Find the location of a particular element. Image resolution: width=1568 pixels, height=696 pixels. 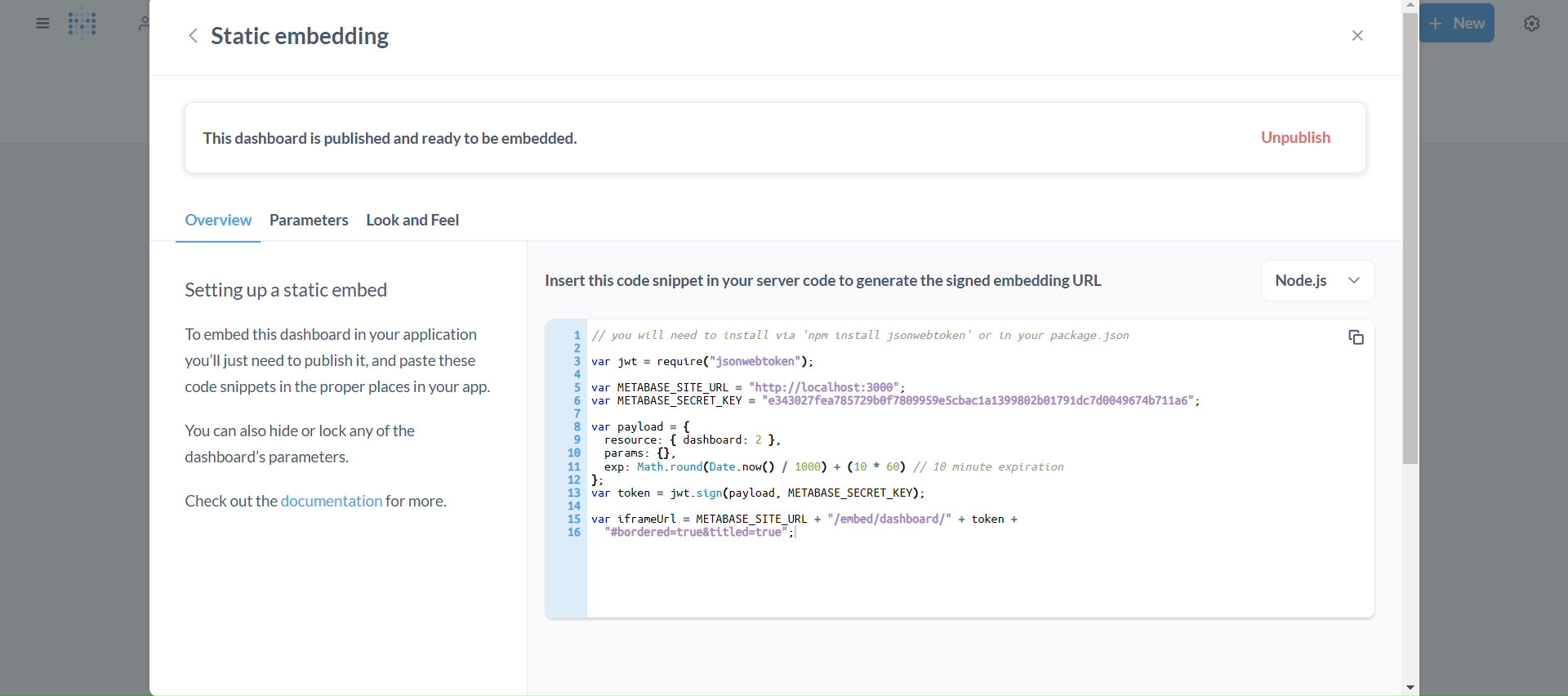

Setting up a static embed

To embed this dashboard in your application
you'll just need to publish it, and paste these
code snippets in the proper places in your app.
You can also hide or lock any of the
dashboard’s parameters. is located at coordinates (339, 377).